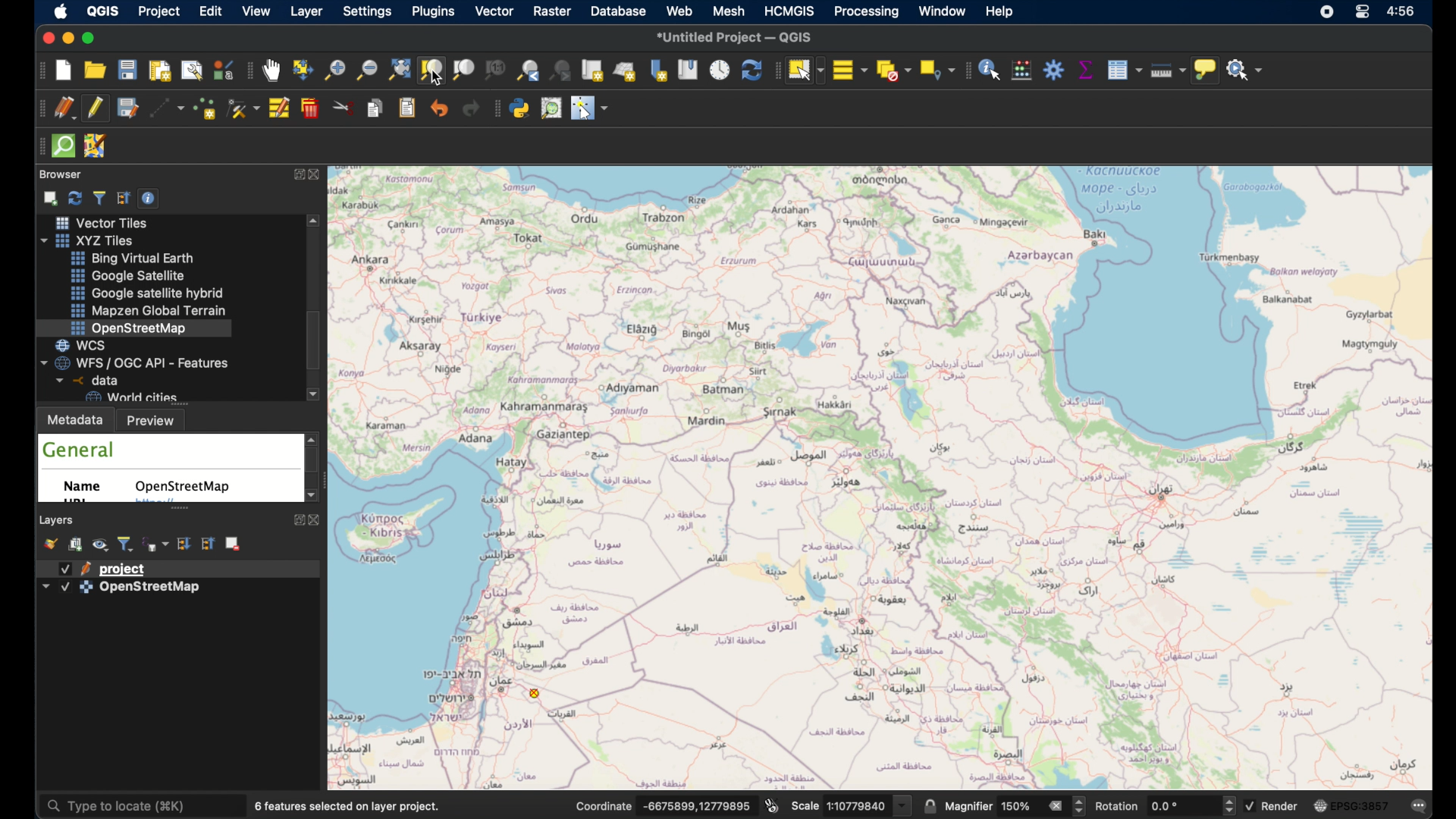 This screenshot has width=1456, height=819. Describe the element at coordinates (138, 806) in the screenshot. I see `type locate` at that location.